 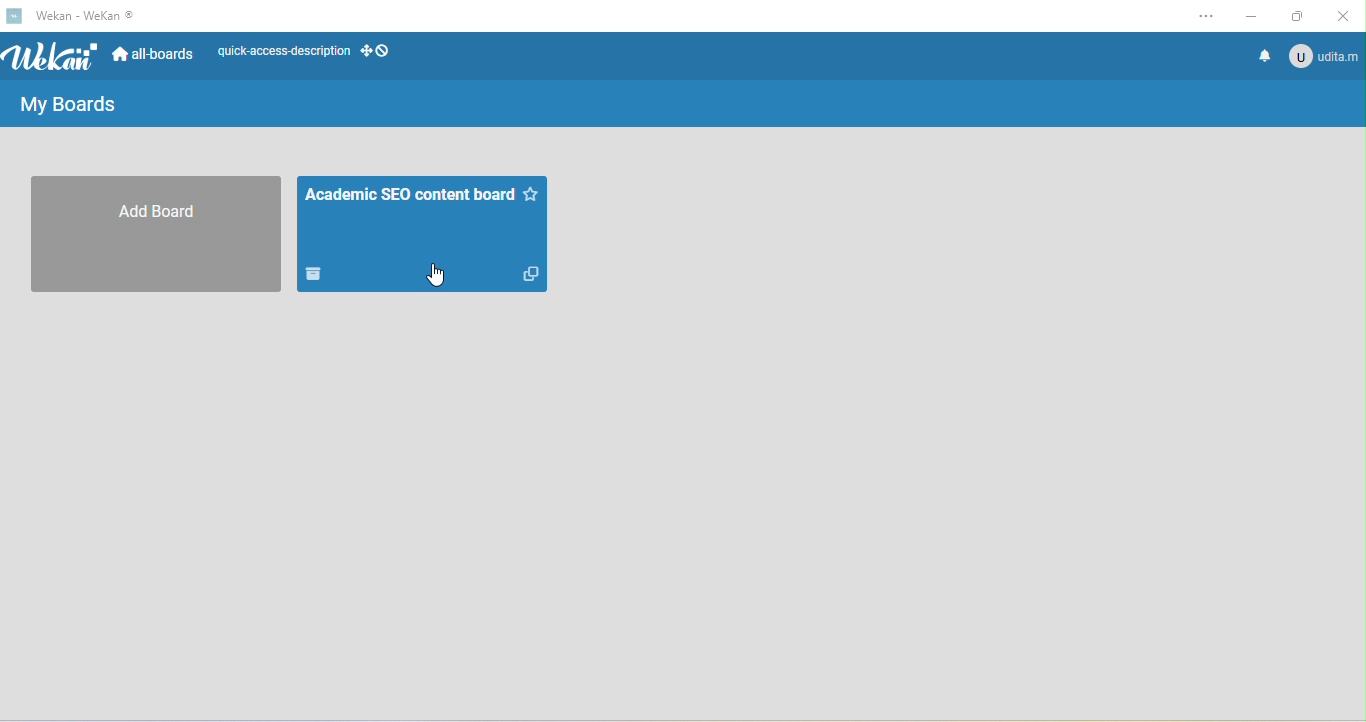 I want to click on account, so click(x=1322, y=55).